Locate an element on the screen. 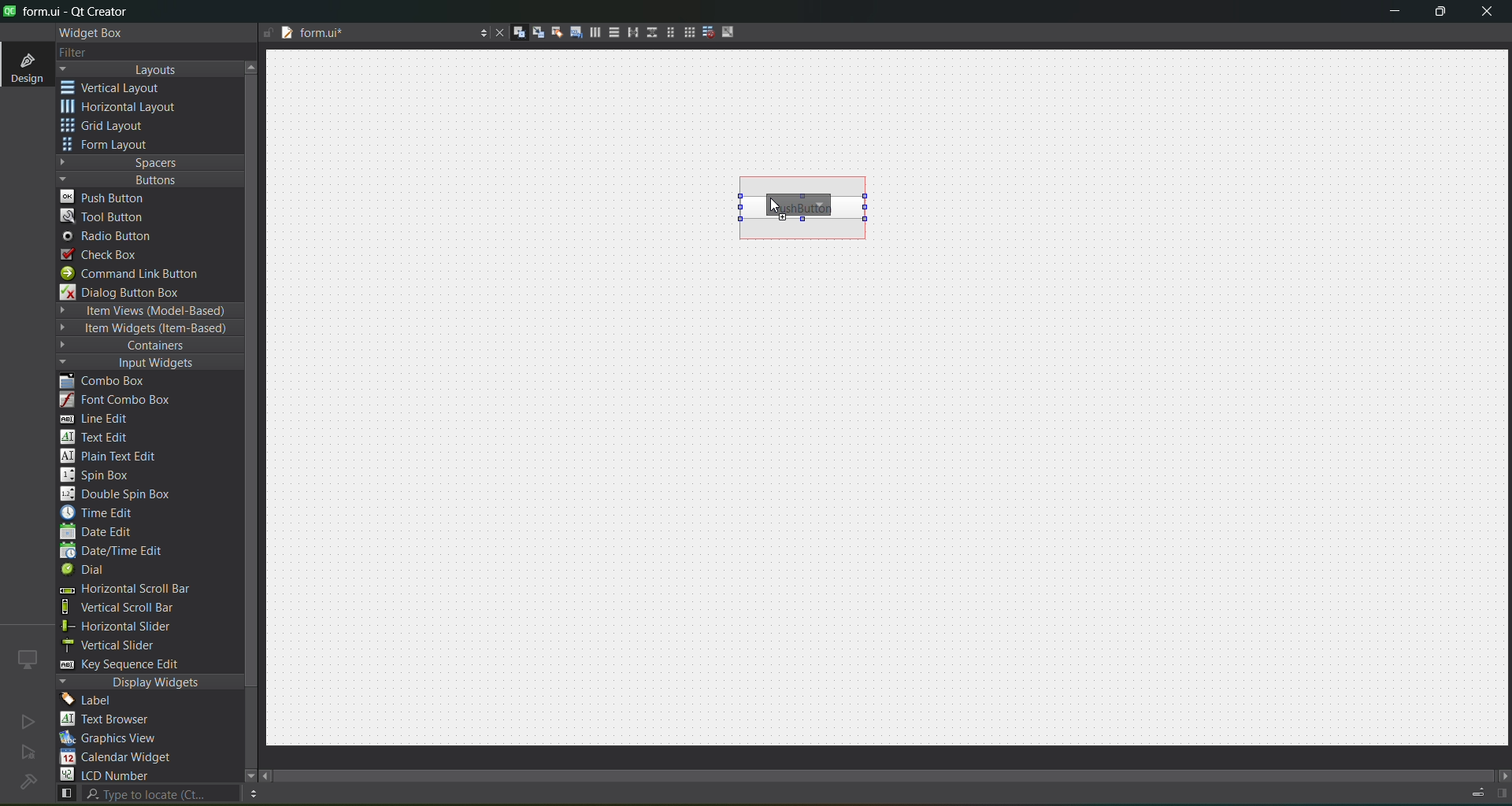 This screenshot has width=1512, height=806. font combo box is located at coordinates (121, 401).